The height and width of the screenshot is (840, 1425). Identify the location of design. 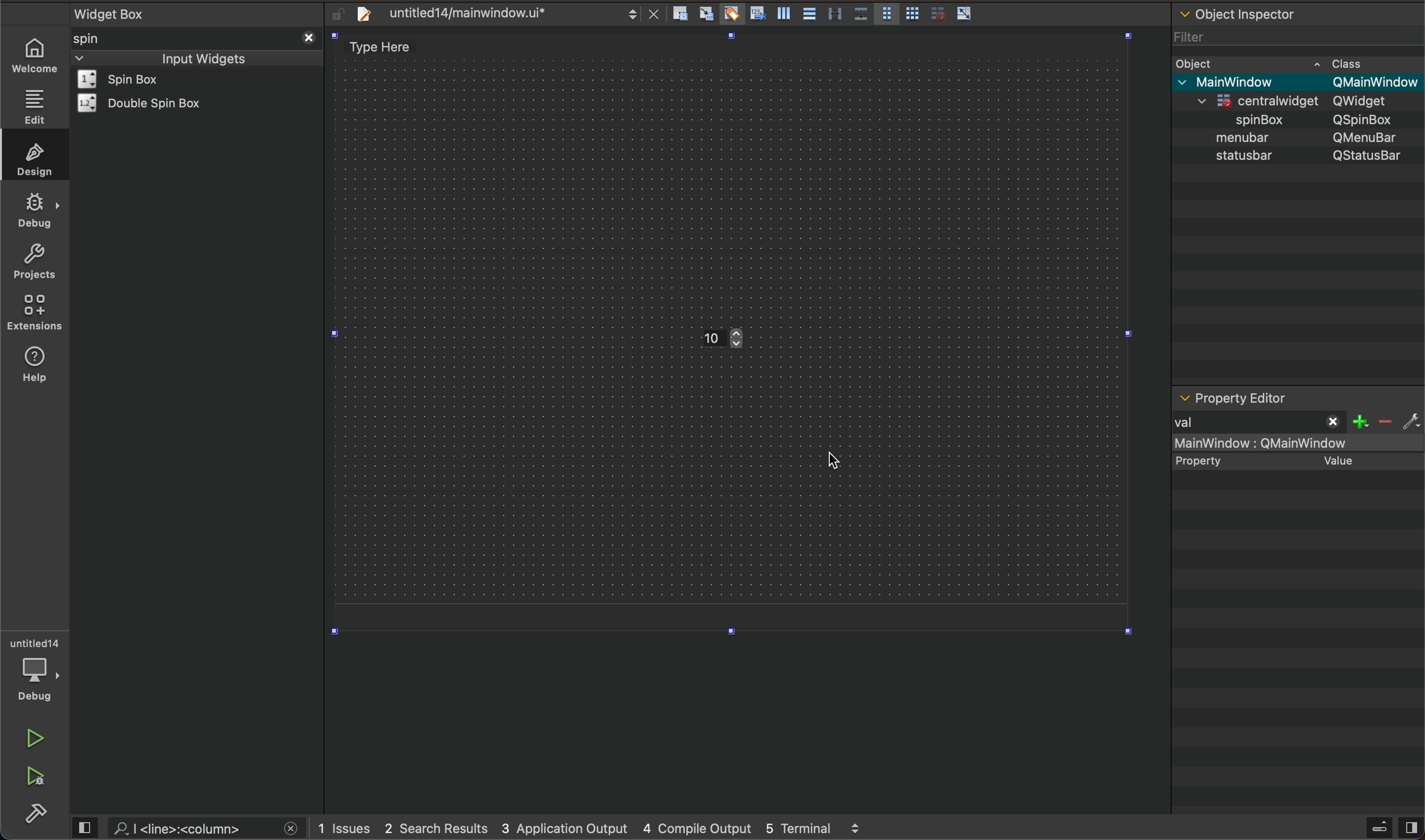
(32, 157).